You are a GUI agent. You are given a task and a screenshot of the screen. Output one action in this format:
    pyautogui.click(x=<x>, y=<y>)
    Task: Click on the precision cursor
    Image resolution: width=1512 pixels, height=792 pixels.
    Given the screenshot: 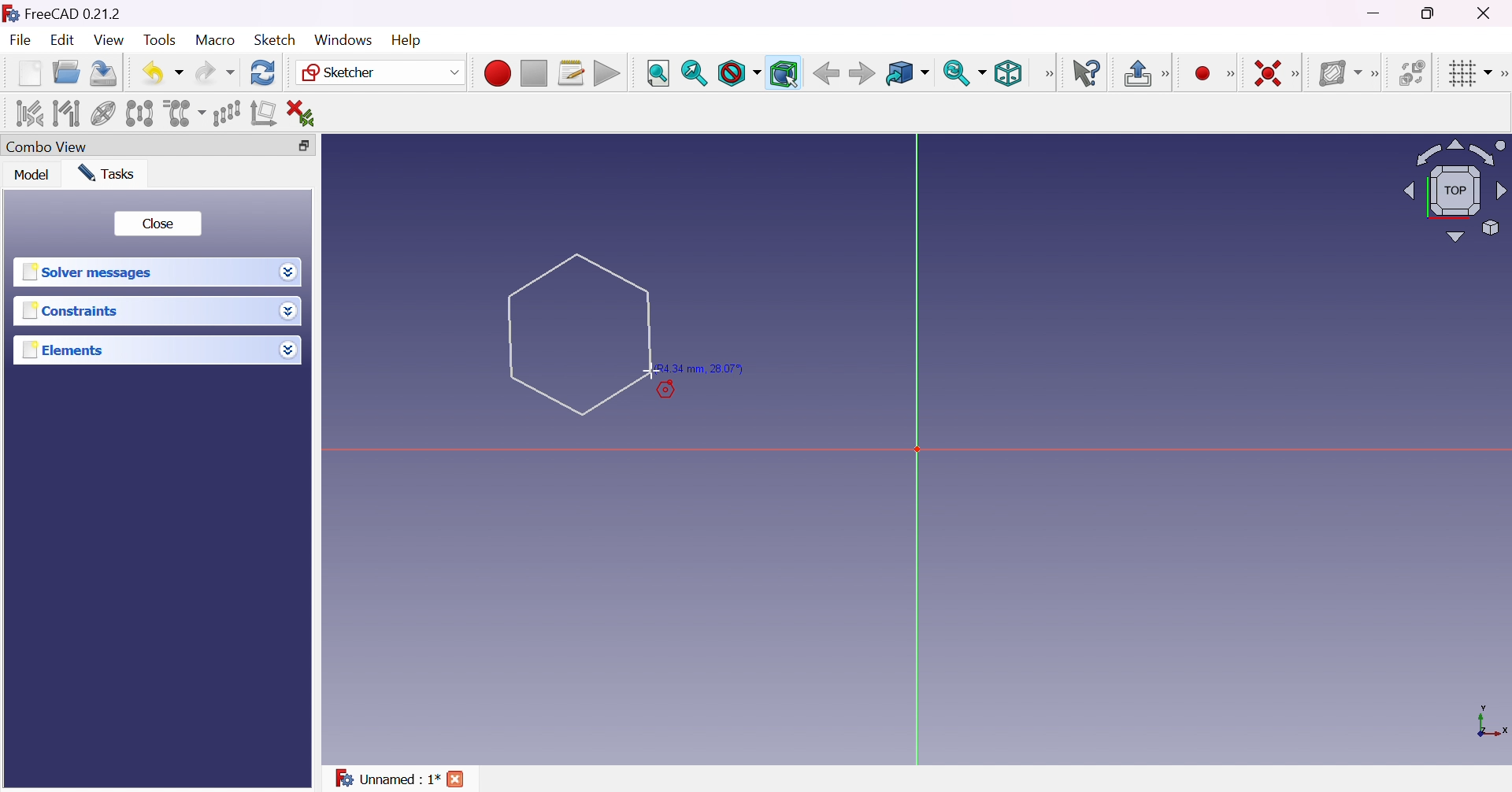 What is the action you would take?
    pyautogui.click(x=651, y=372)
    